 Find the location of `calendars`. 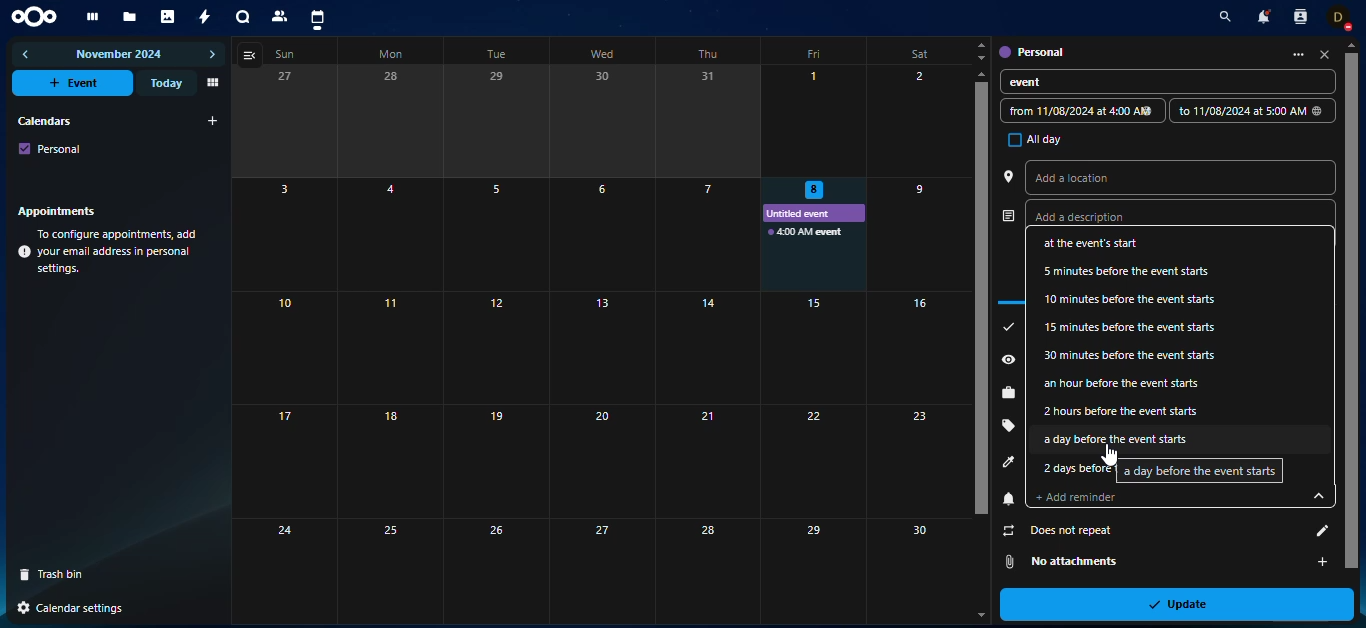

calendars is located at coordinates (43, 120).